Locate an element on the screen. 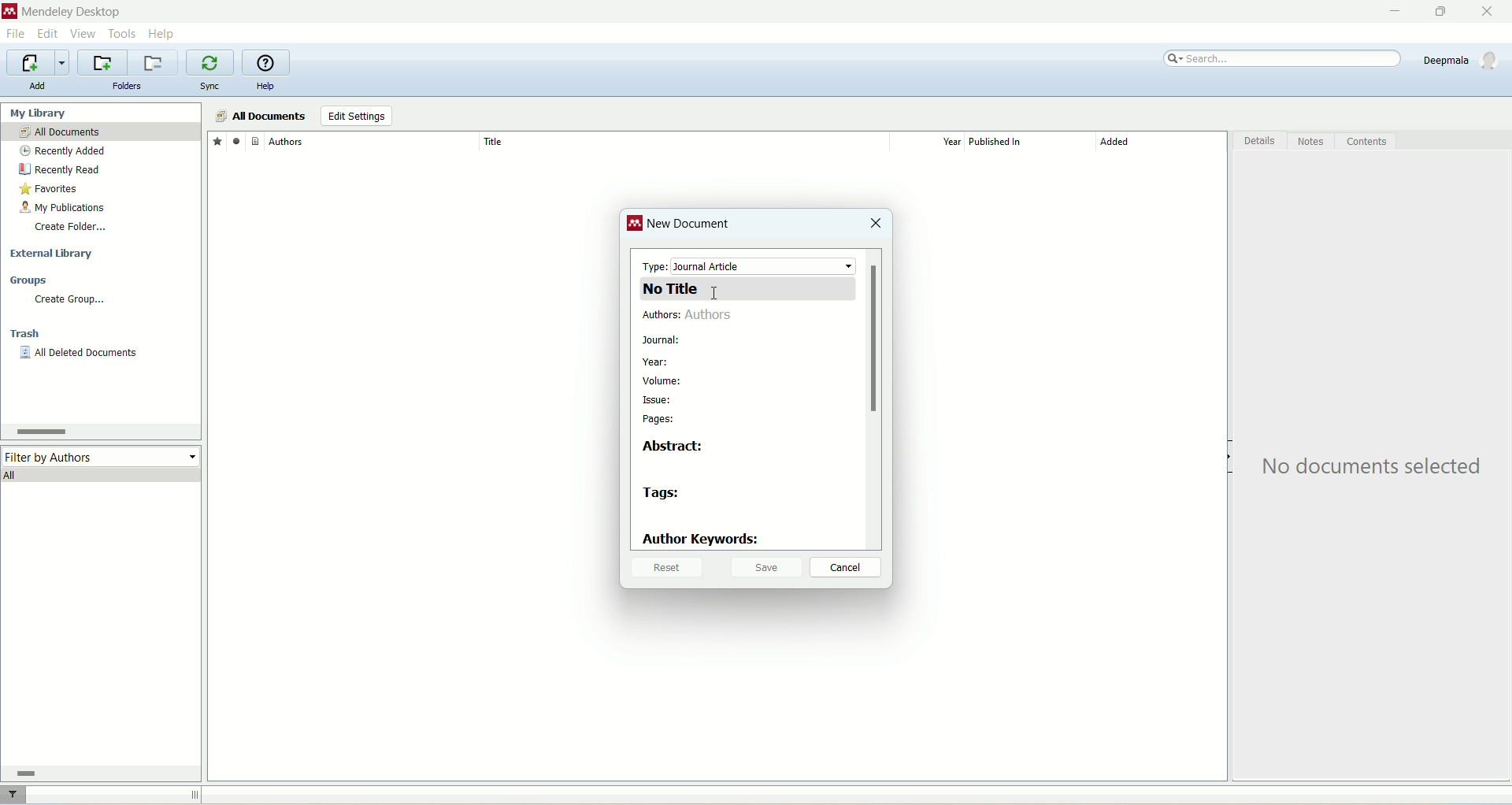 The width and height of the screenshot is (1512, 805). recently read is located at coordinates (59, 169).